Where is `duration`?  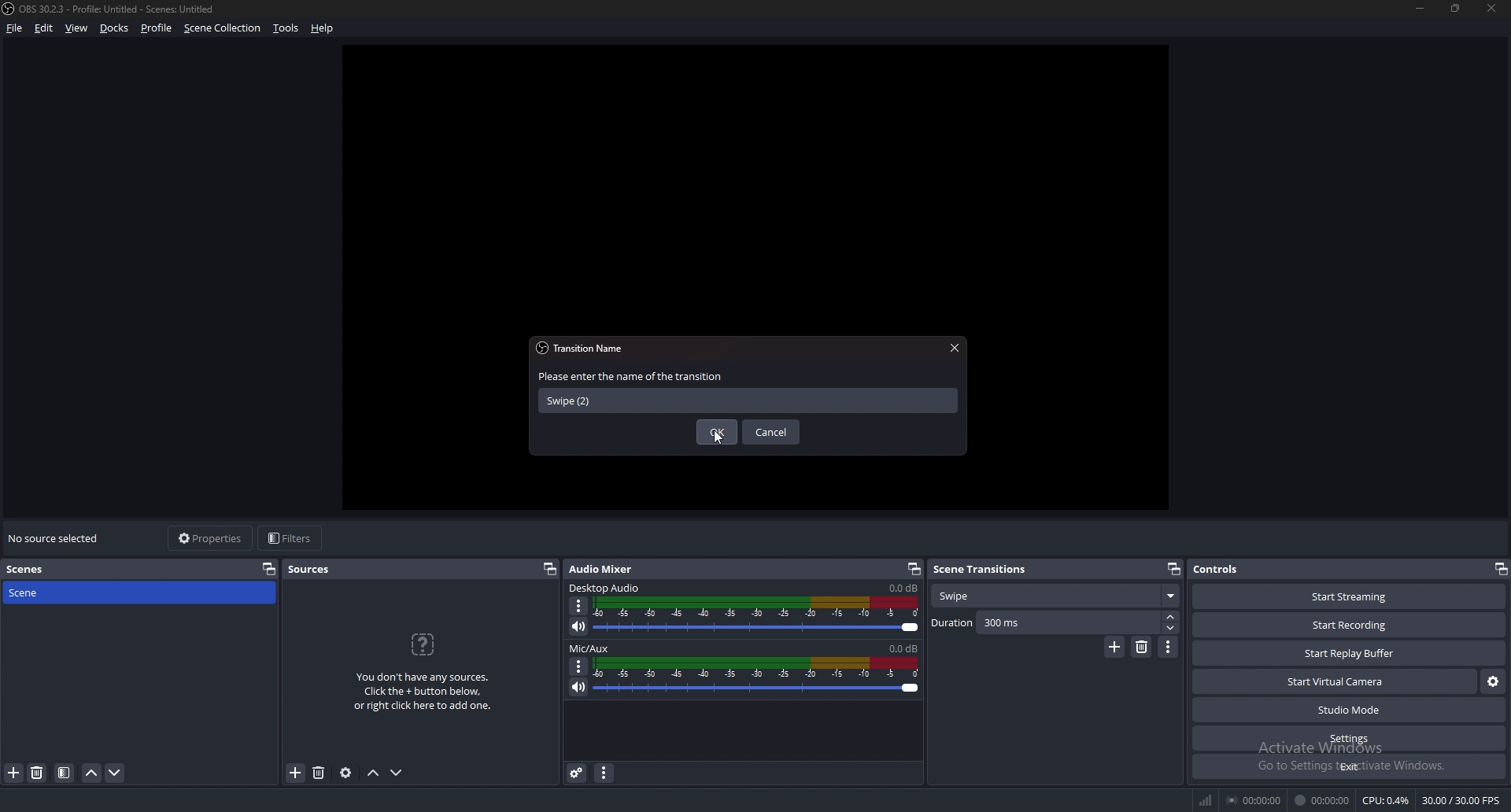
duration is located at coordinates (1045, 622).